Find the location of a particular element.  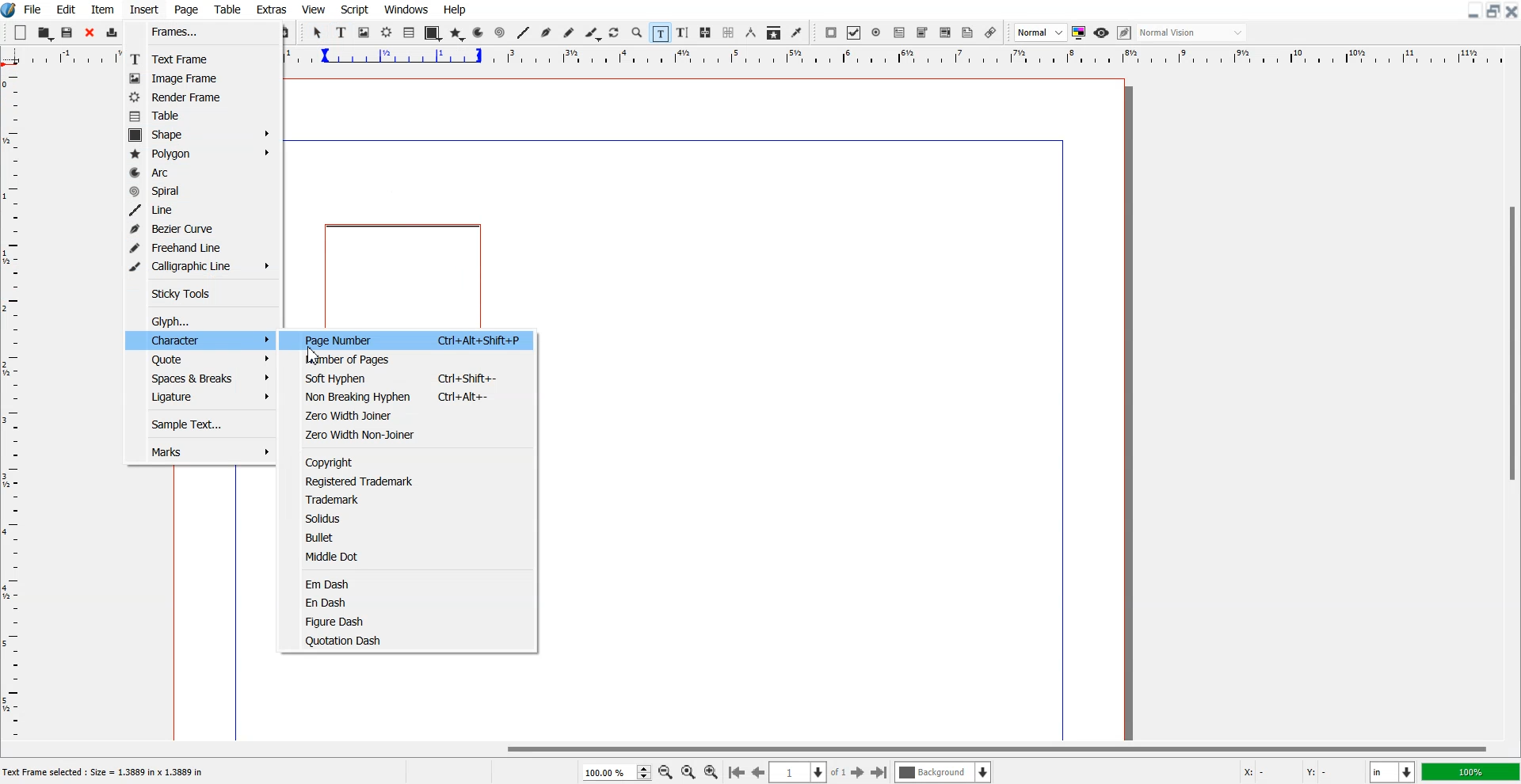

Shape is located at coordinates (433, 33).